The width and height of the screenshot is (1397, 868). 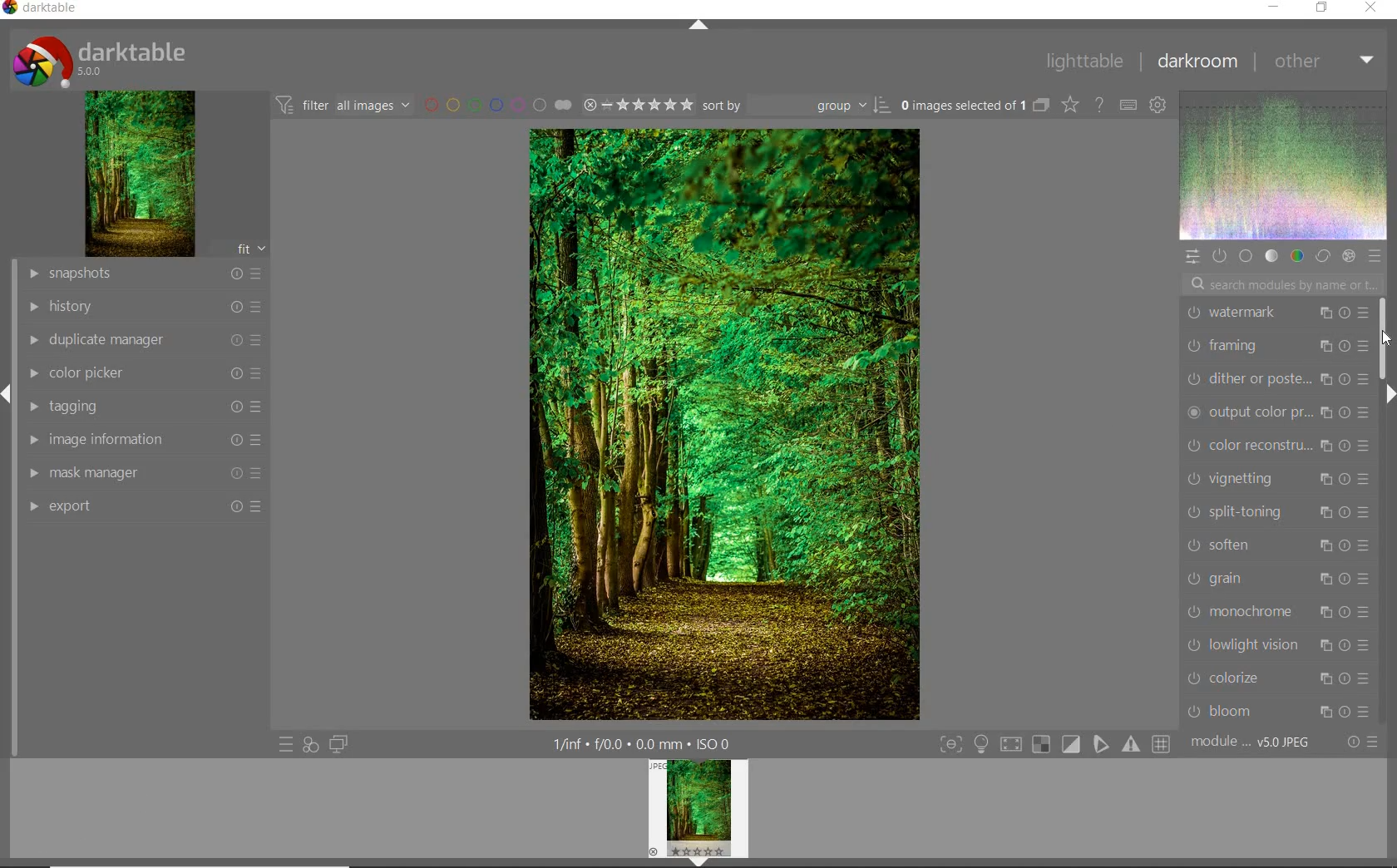 I want to click on SCROLLBAR, so click(x=1387, y=338).